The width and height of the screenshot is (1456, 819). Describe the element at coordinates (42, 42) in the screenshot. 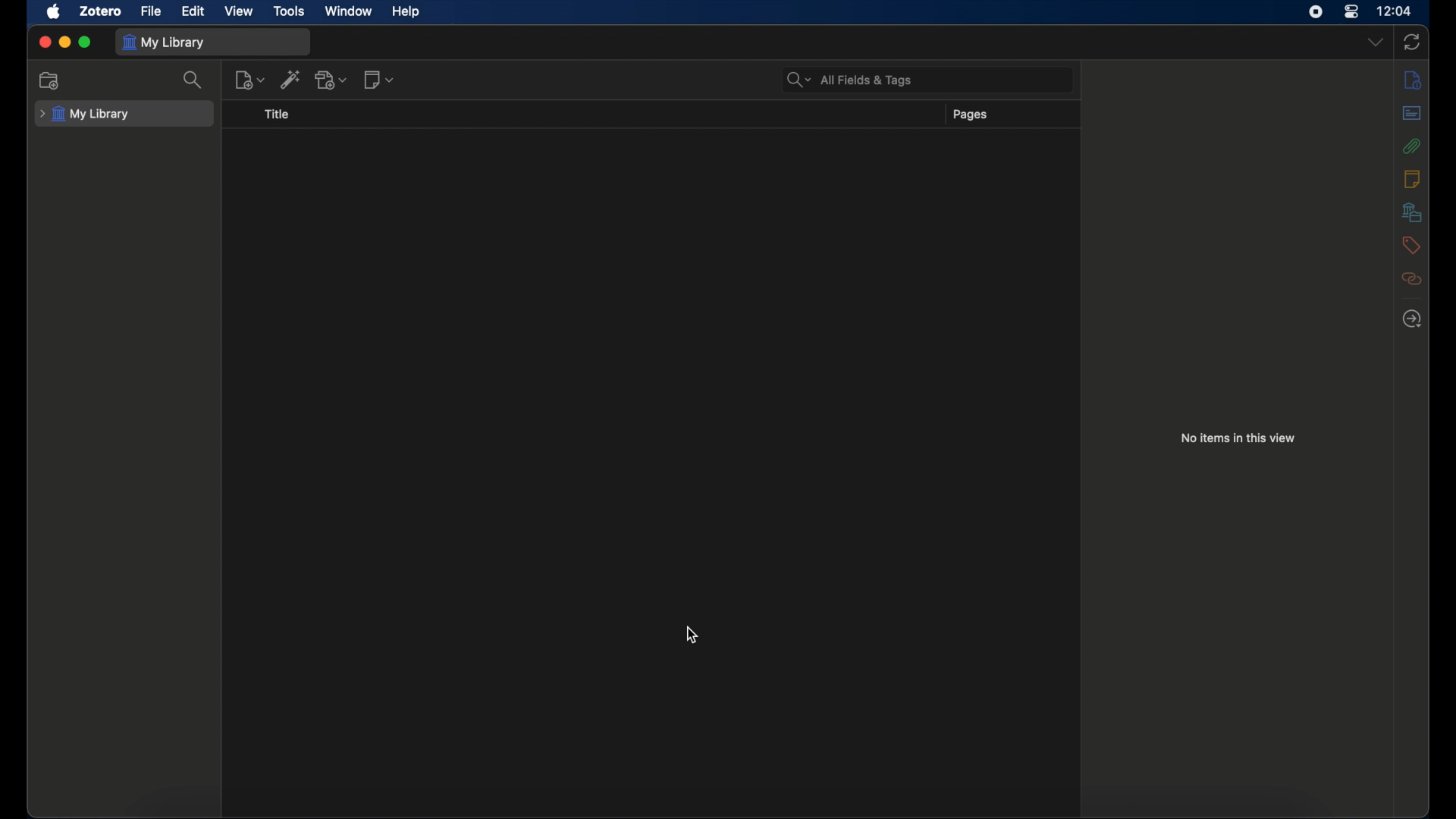

I see `close` at that location.